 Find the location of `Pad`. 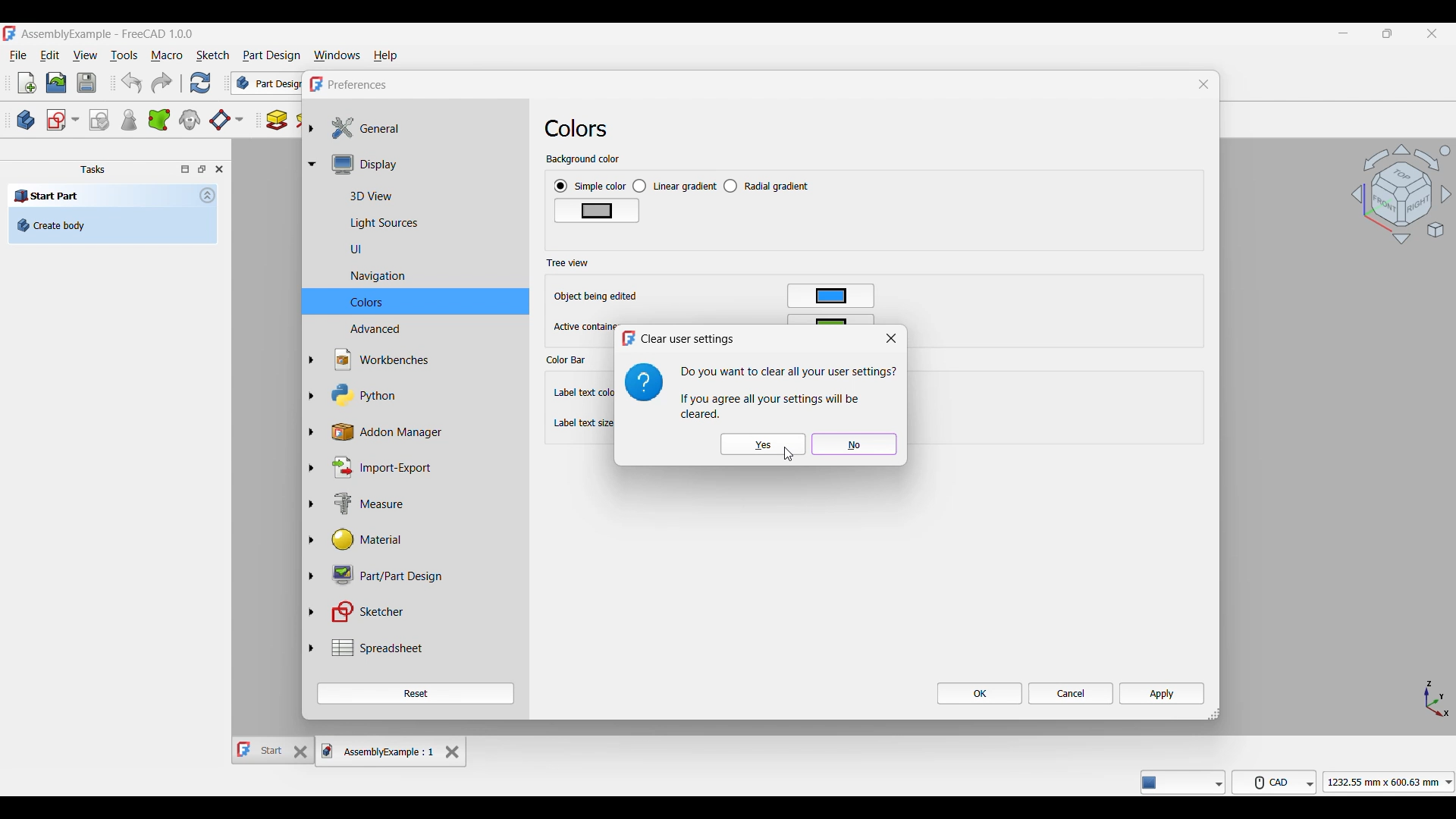

Pad is located at coordinates (277, 121).